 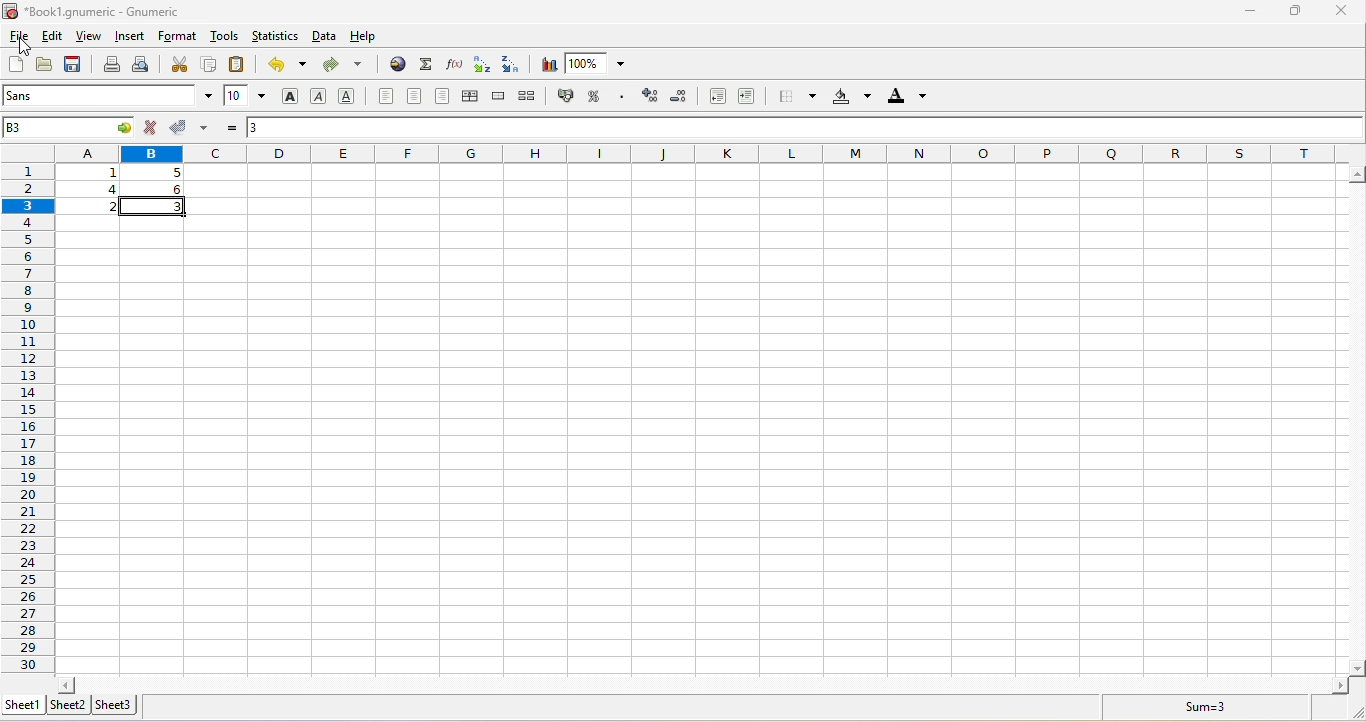 What do you see at coordinates (601, 65) in the screenshot?
I see `zoom` at bounding box center [601, 65].